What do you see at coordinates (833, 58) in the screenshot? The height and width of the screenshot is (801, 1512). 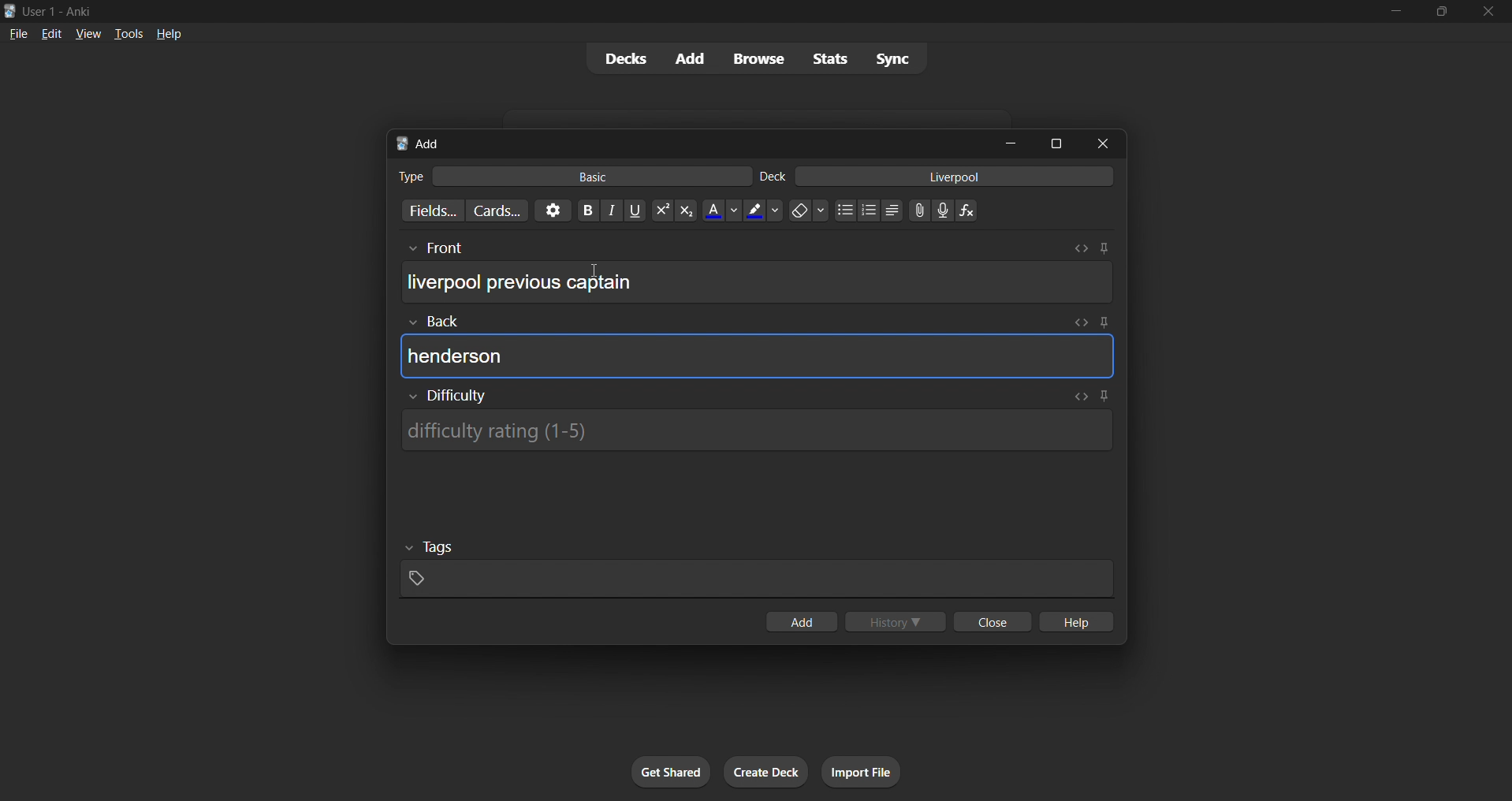 I see `stats` at bounding box center [833, 58].